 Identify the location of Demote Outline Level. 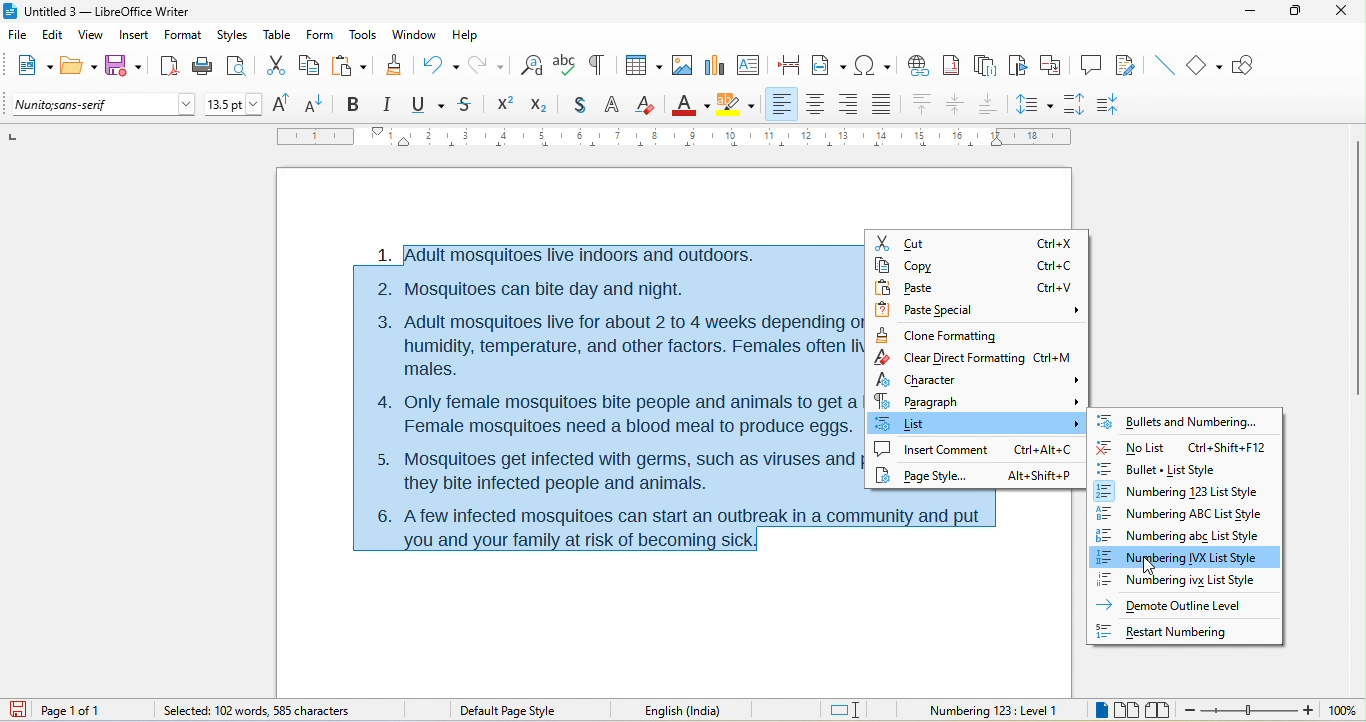
(1175, 604).